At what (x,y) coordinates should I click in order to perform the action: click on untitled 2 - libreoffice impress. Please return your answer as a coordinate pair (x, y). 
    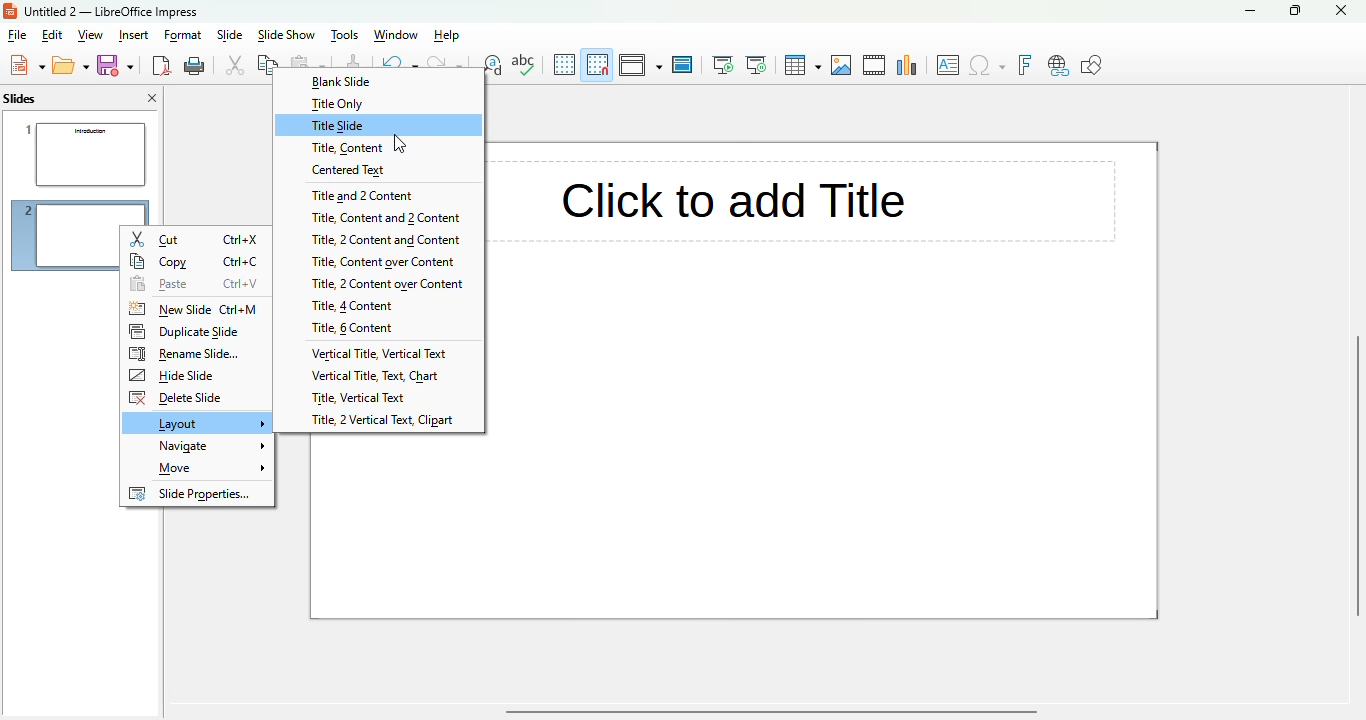
    Looking at the image, I should click on (111, 11).